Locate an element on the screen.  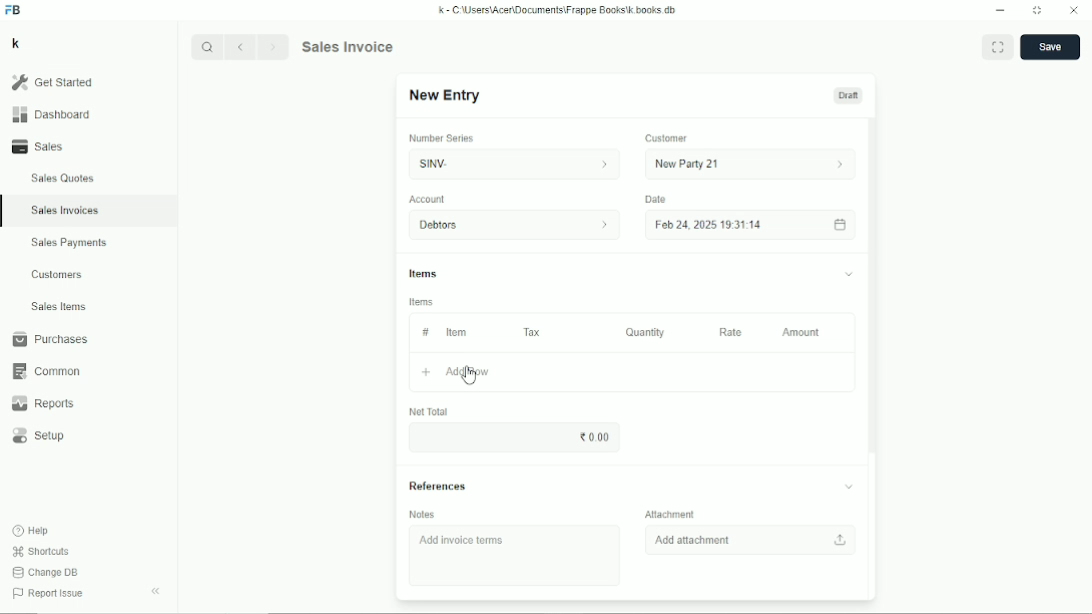
Tax is located at coordinates (534, 332).